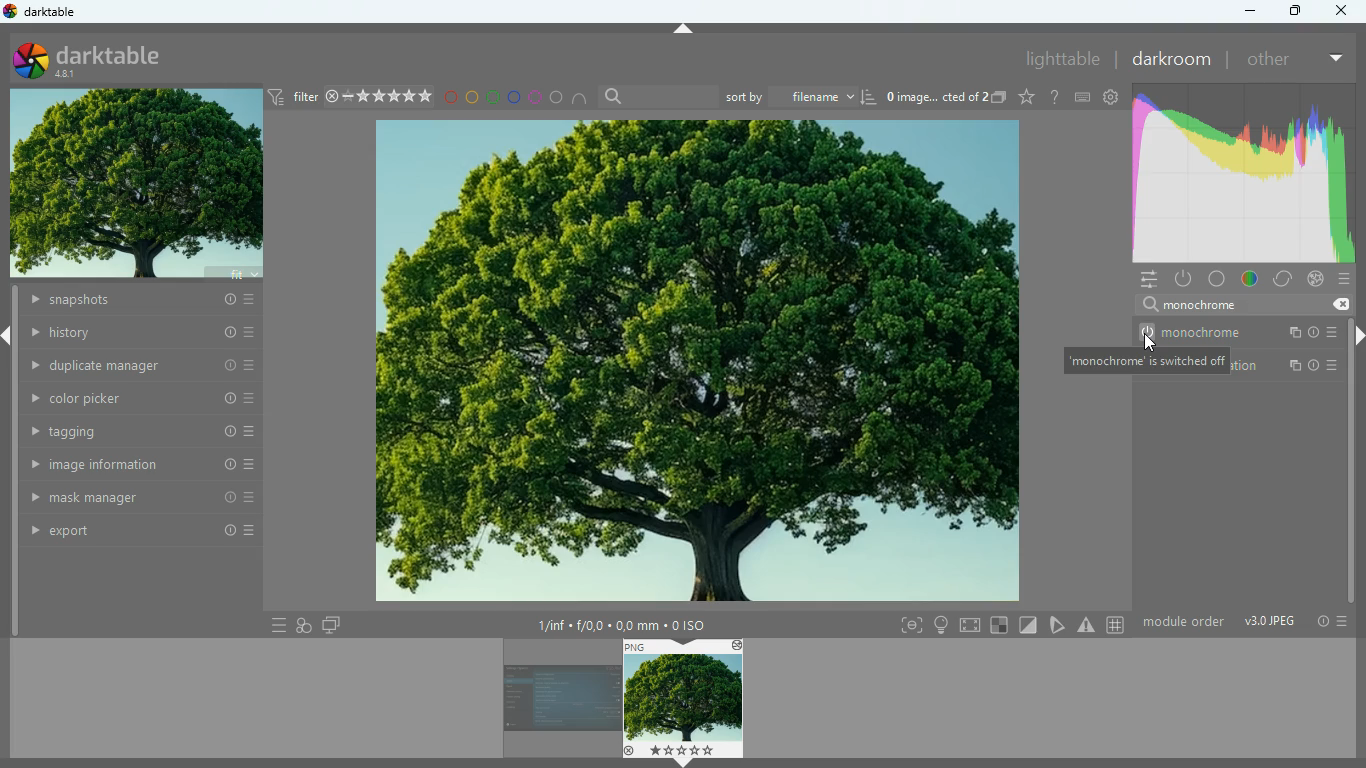 The width and height of the screenshot is (1366, 768). What do you see at coordinates (1271, 60) in the screenshot?
I see `other` at bounding box center [1271, 60].